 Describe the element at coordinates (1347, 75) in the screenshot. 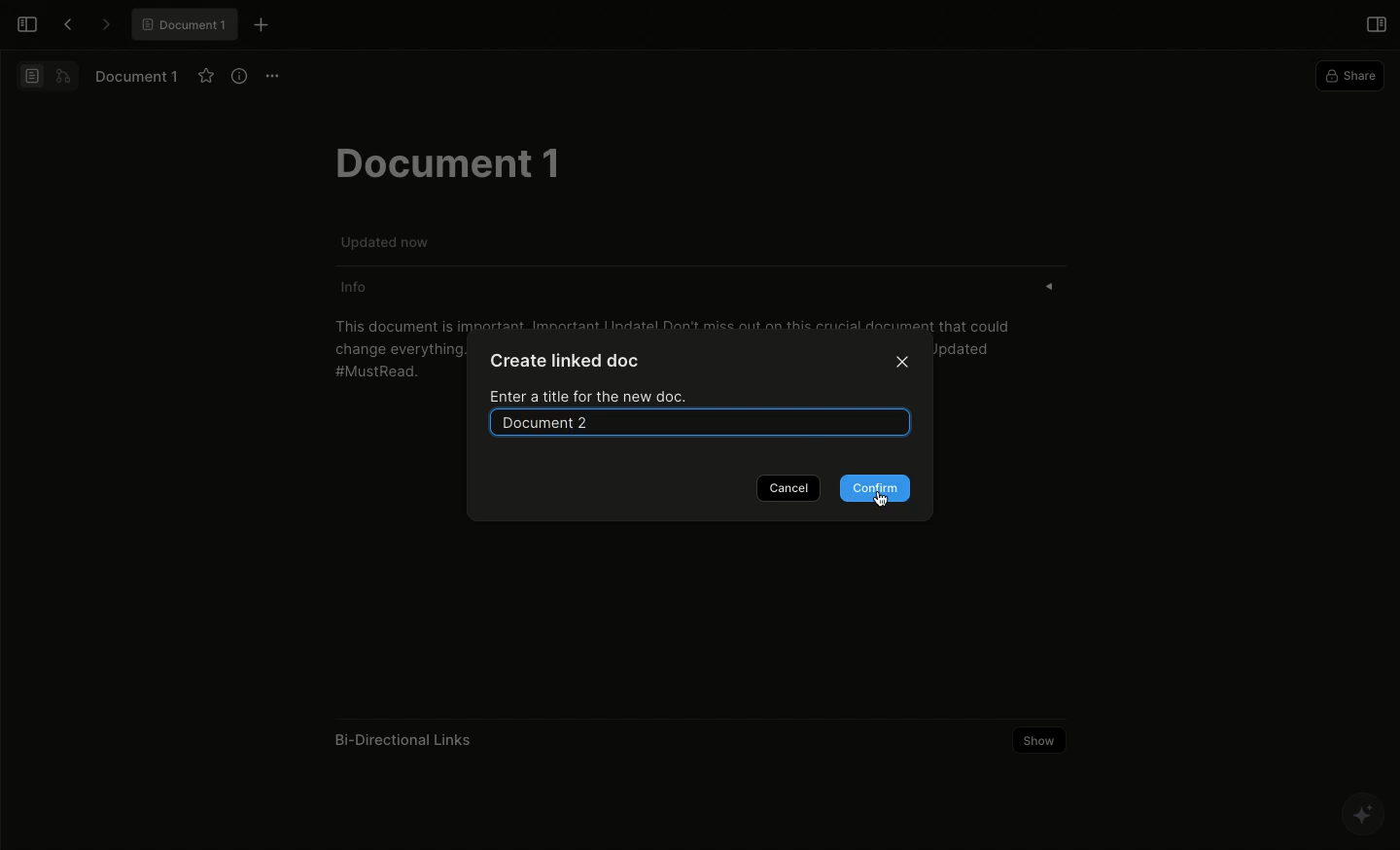

I see `Share` at that location.